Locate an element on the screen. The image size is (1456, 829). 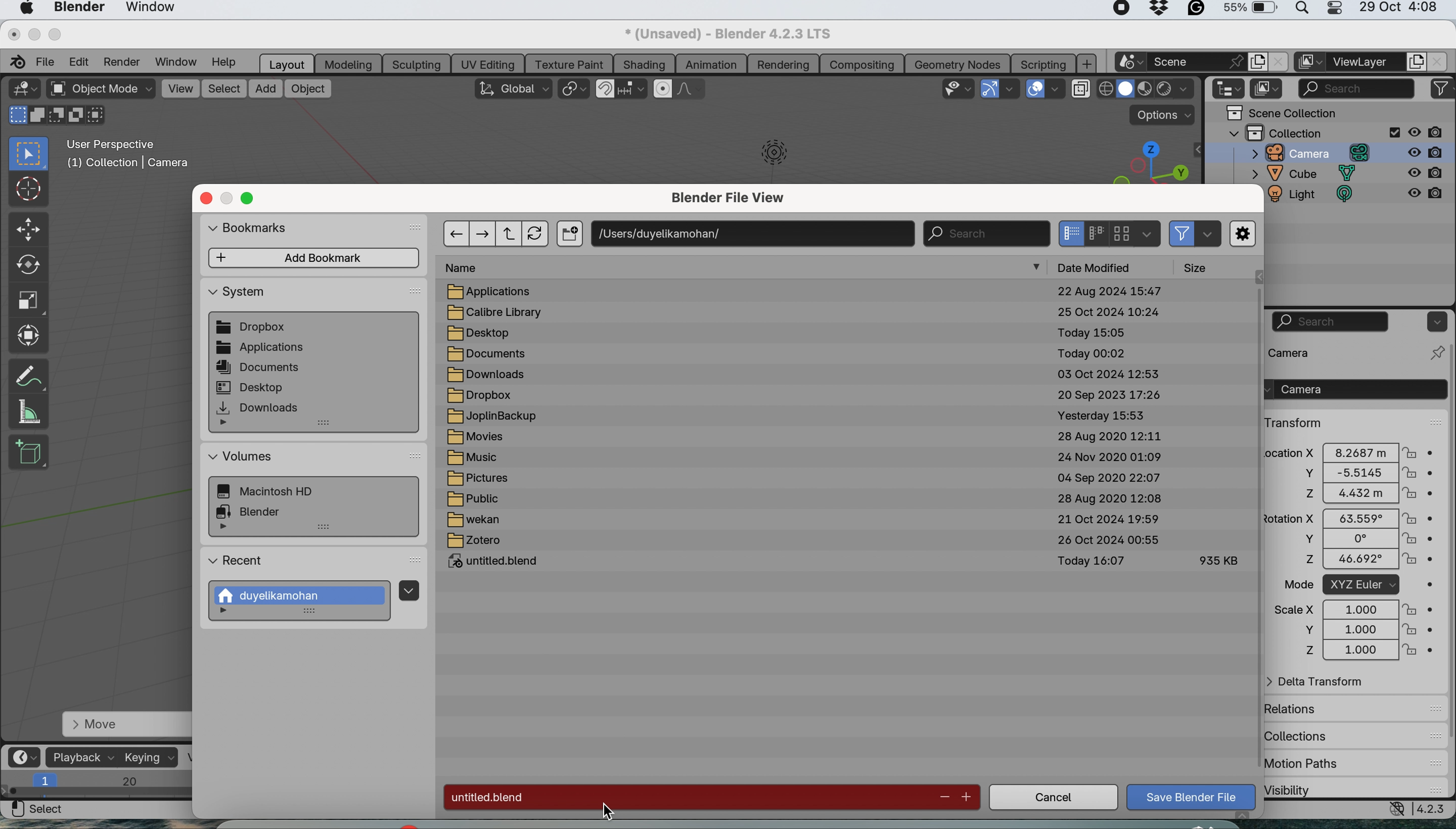
y 0 is located at coordinates (1345, 539).